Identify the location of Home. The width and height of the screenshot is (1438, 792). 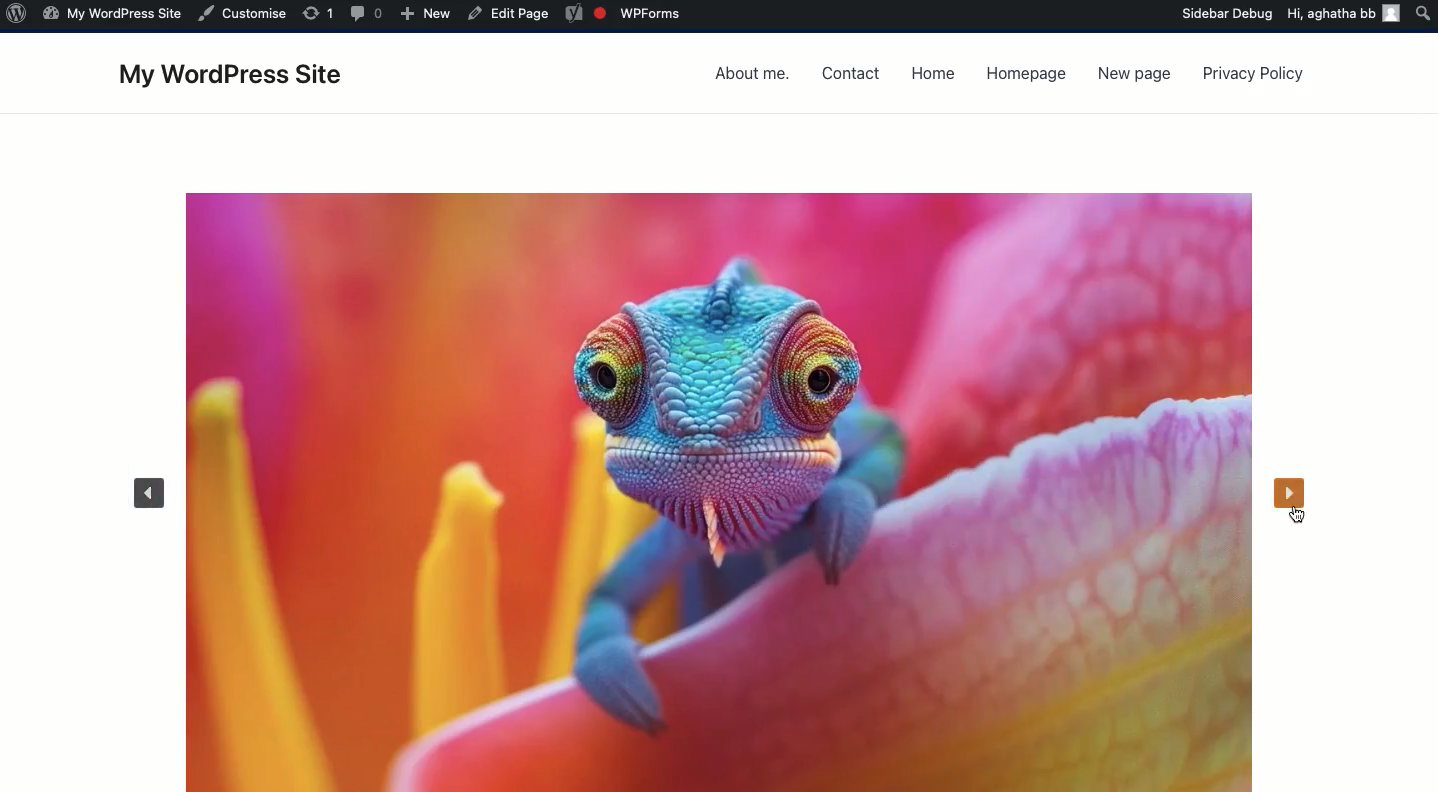
(937, 72).